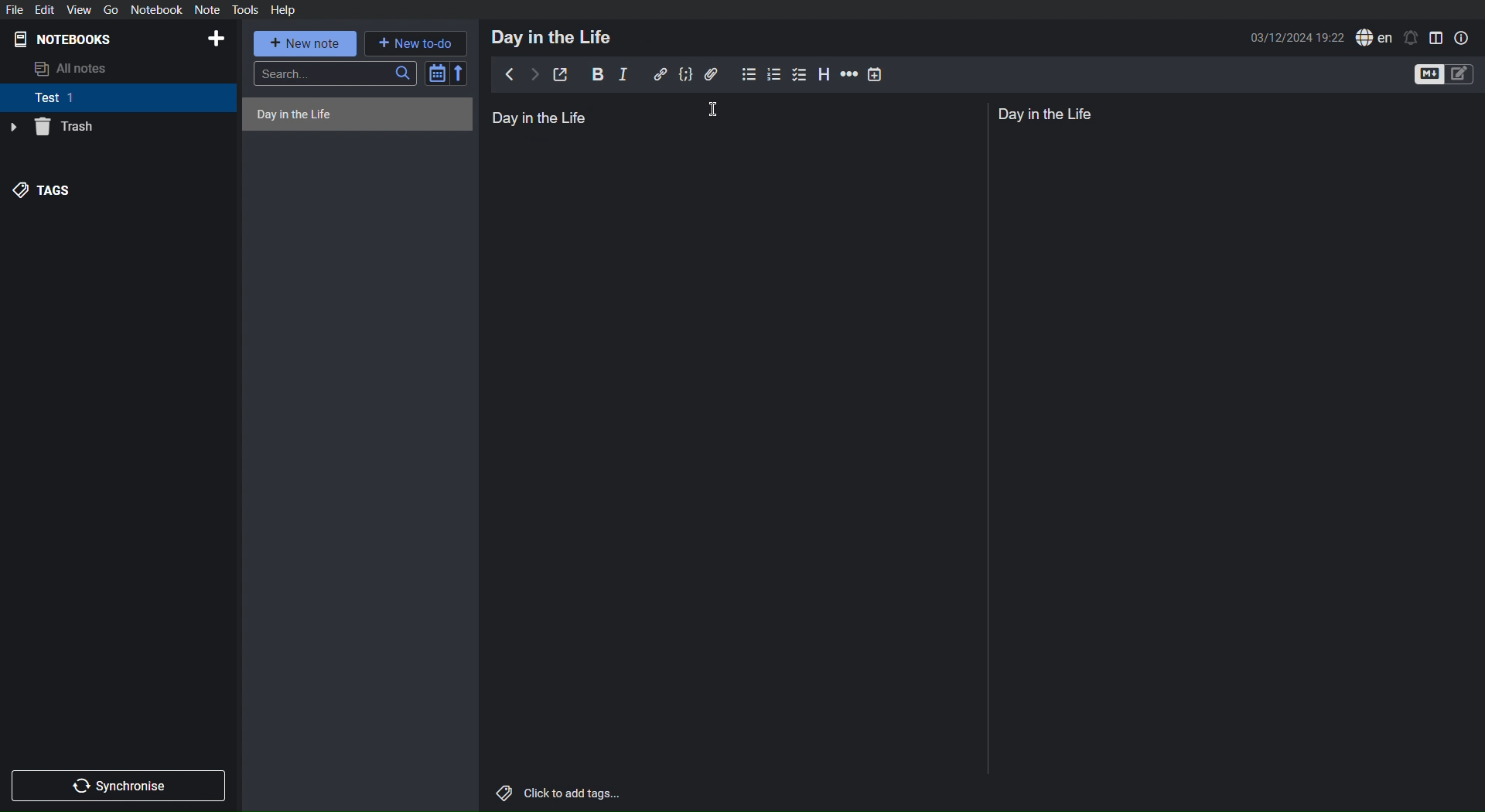 This screenshot has height=812, width=1485. Describe the element at coordinates (1410, 39) in the screenshot. I see `Notifications` at that location.